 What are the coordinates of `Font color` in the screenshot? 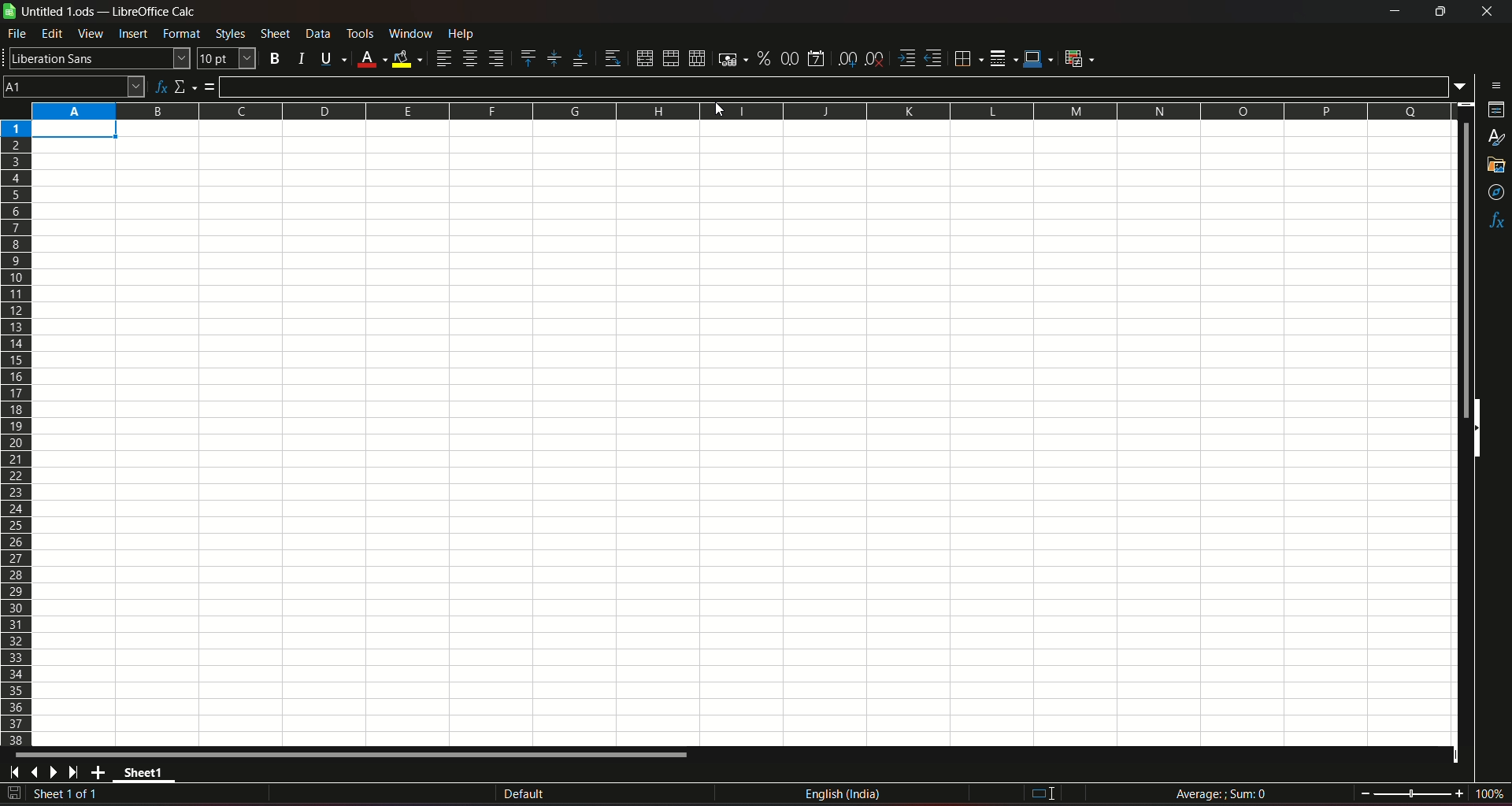 It's located at (370, 57).